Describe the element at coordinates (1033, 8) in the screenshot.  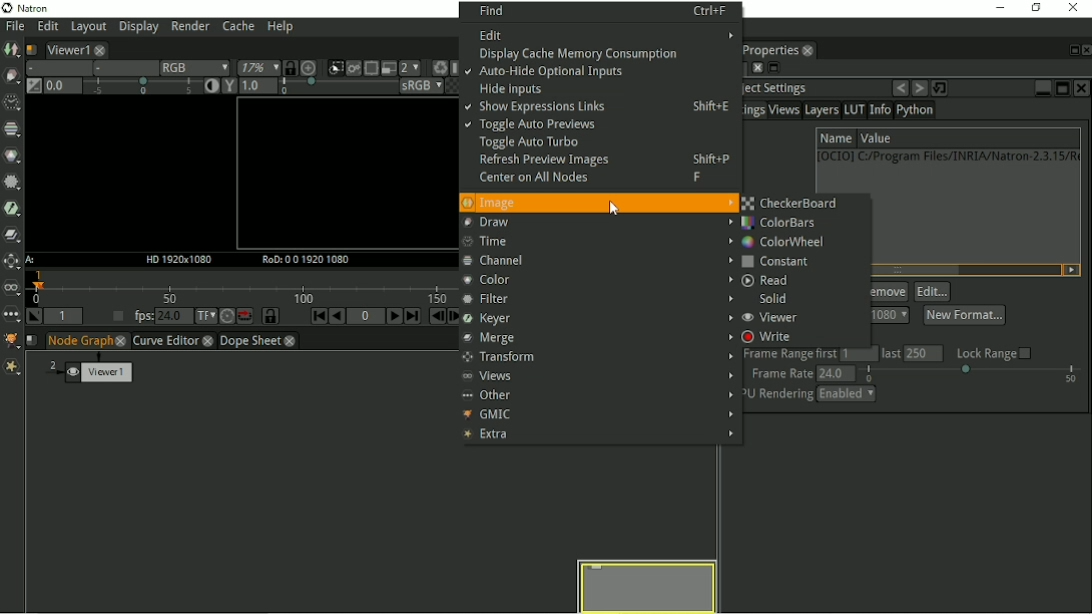
I see `Restore down` at that location.